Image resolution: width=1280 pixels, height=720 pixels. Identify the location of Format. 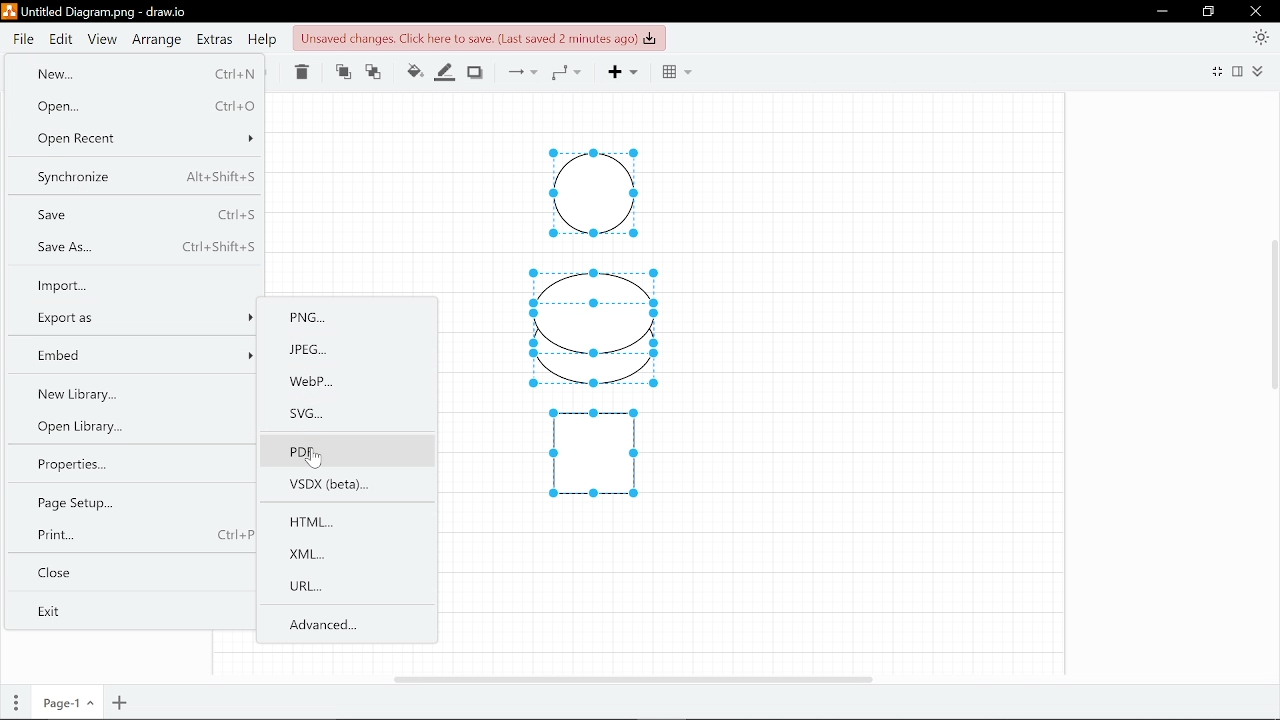
(1237, 72).